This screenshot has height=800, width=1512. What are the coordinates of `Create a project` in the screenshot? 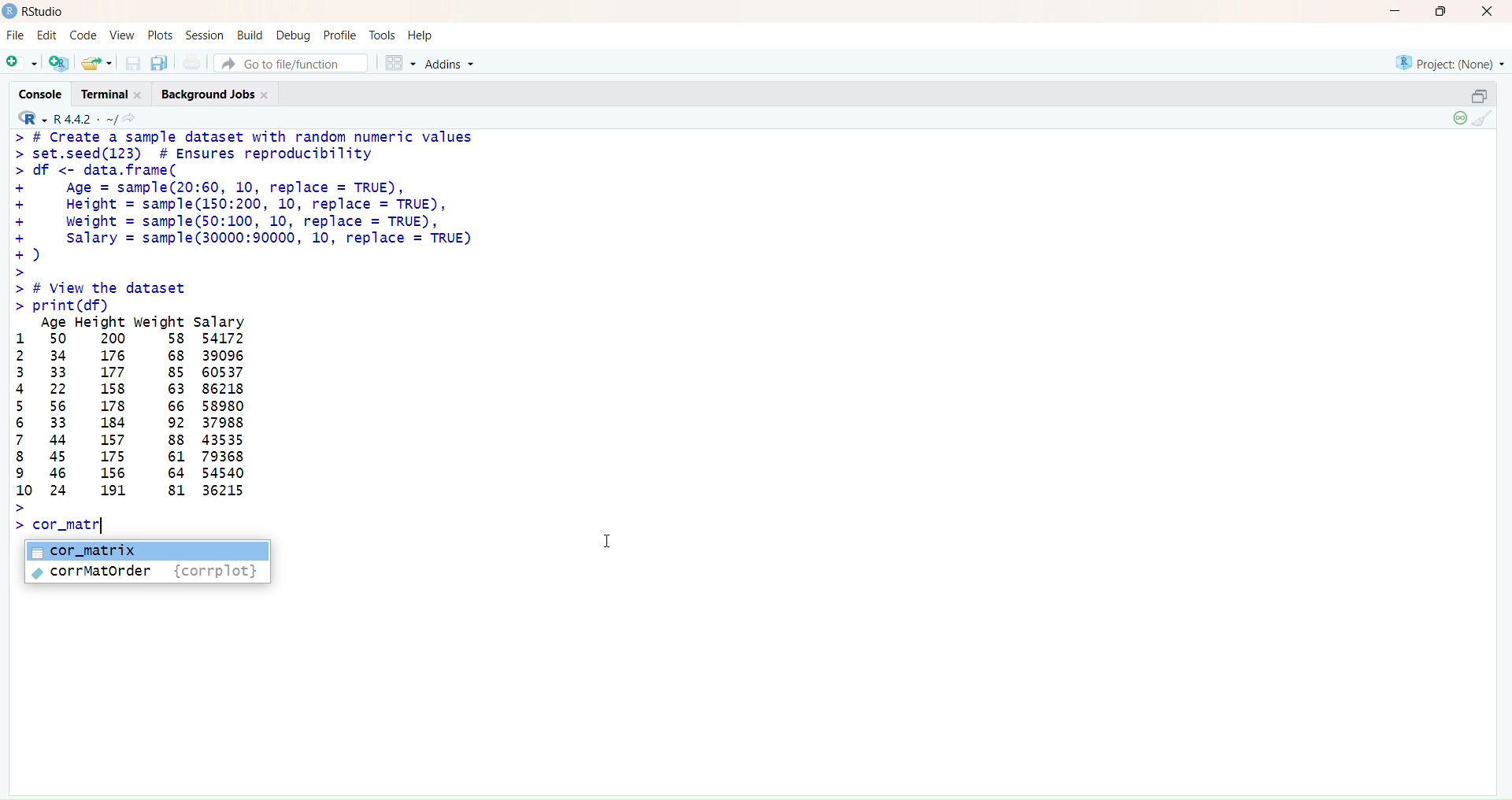 It's located at (57, 61).